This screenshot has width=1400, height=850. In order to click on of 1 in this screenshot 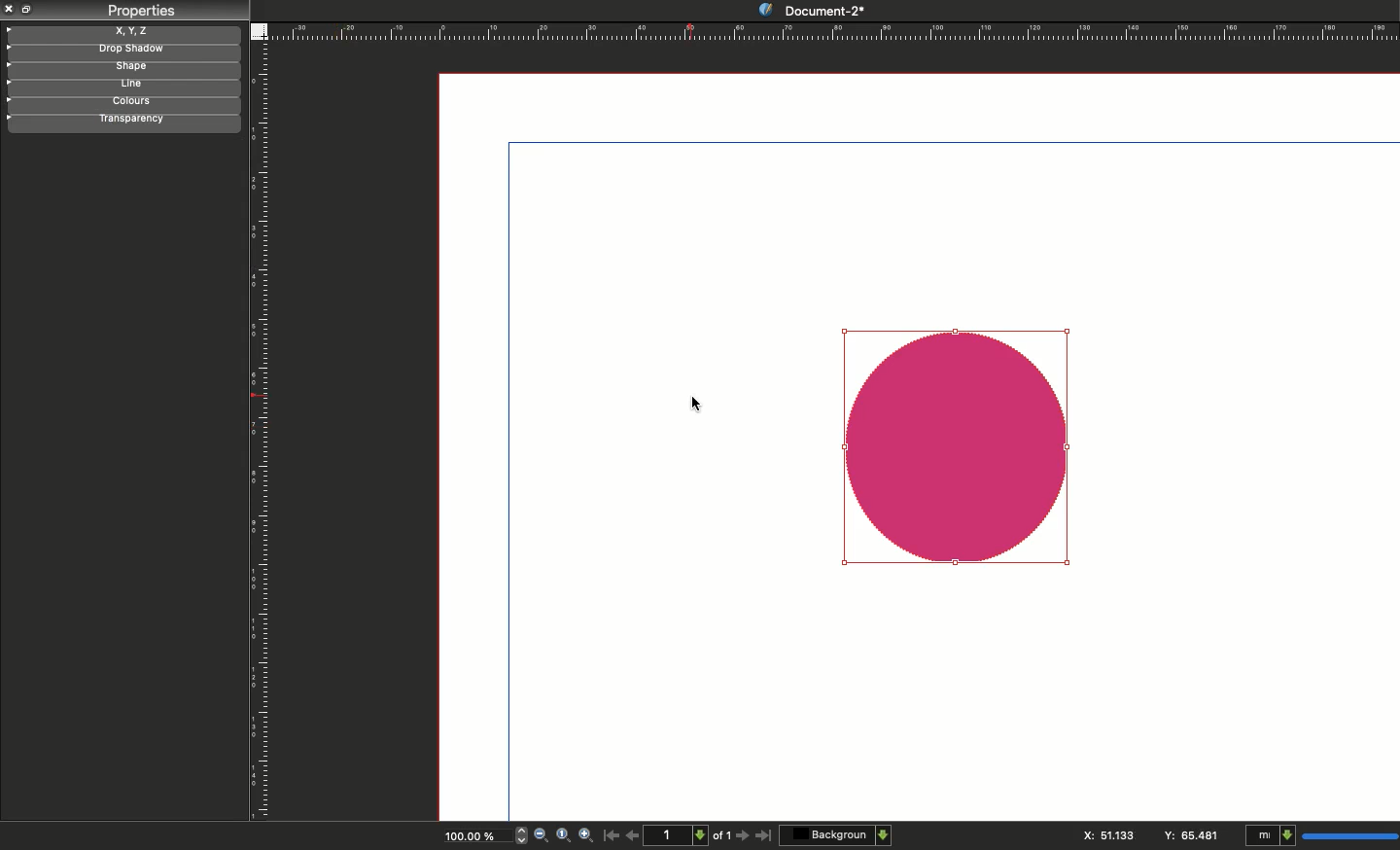, I will do `click(722, 838)`.